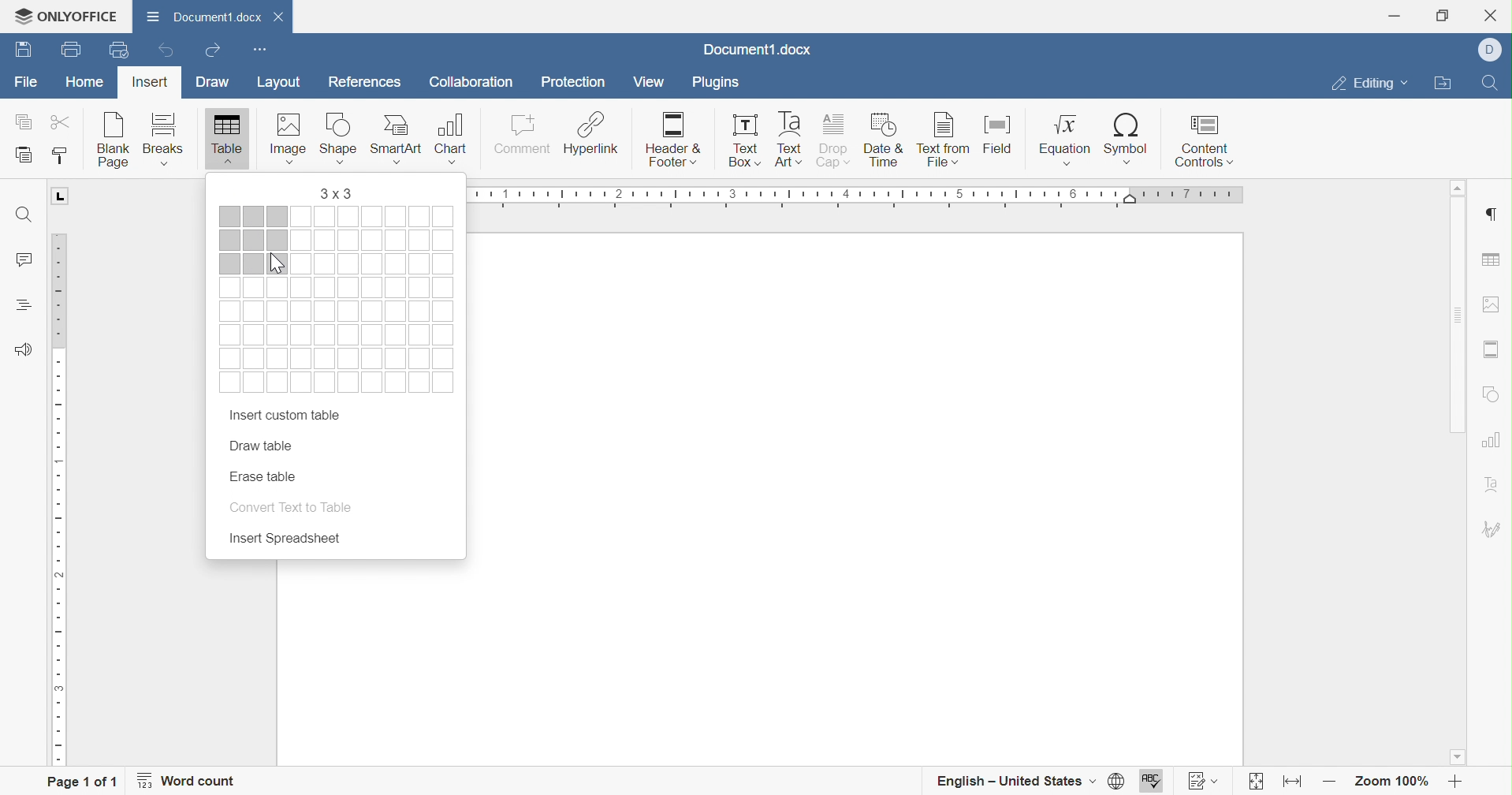  What do you see at coordinates (283, 82) in the screenshot?
I see `Layout` at bounding box center [283, 82].